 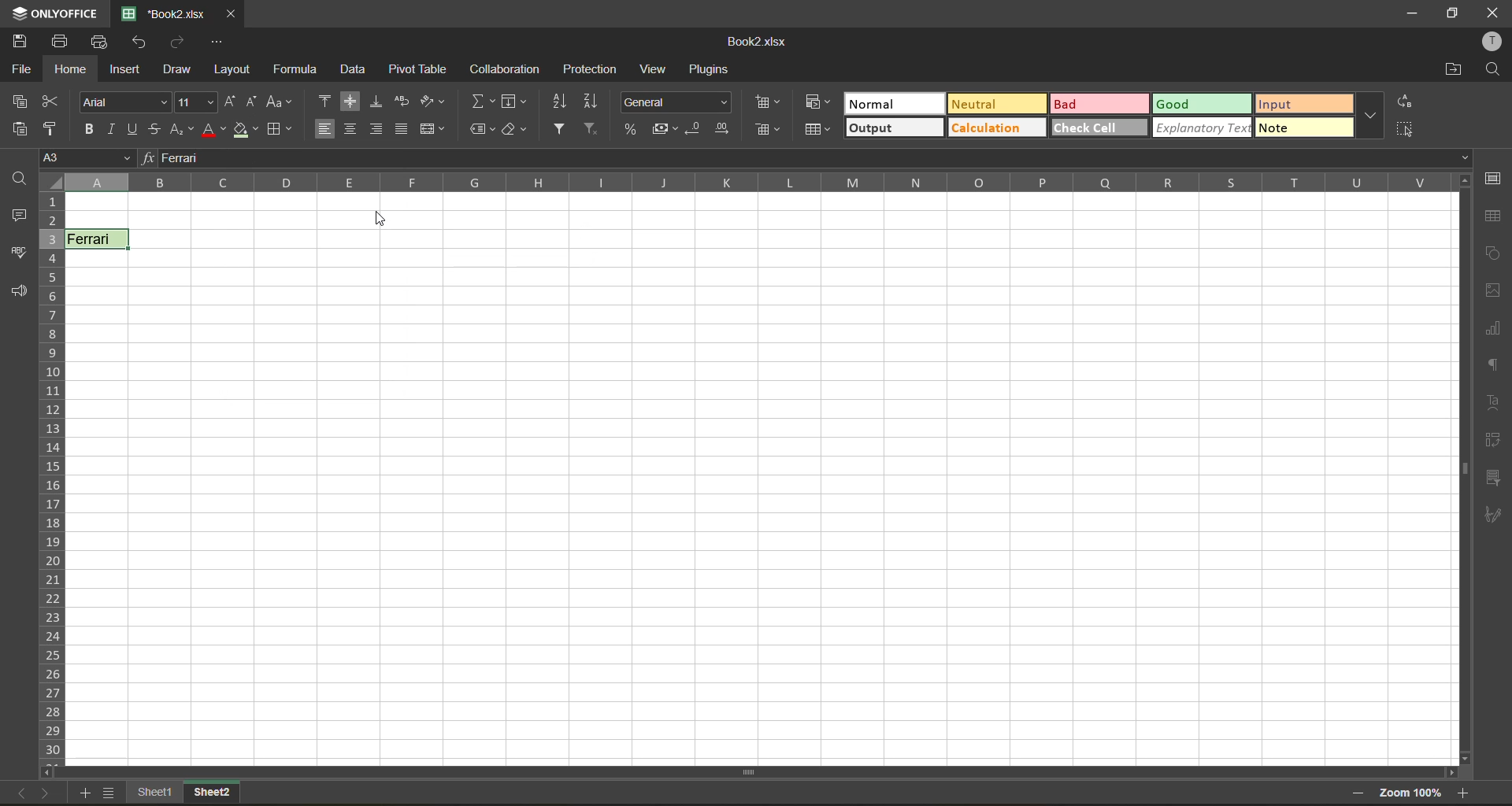 I want to click on file name, so click(x=161, y=12).